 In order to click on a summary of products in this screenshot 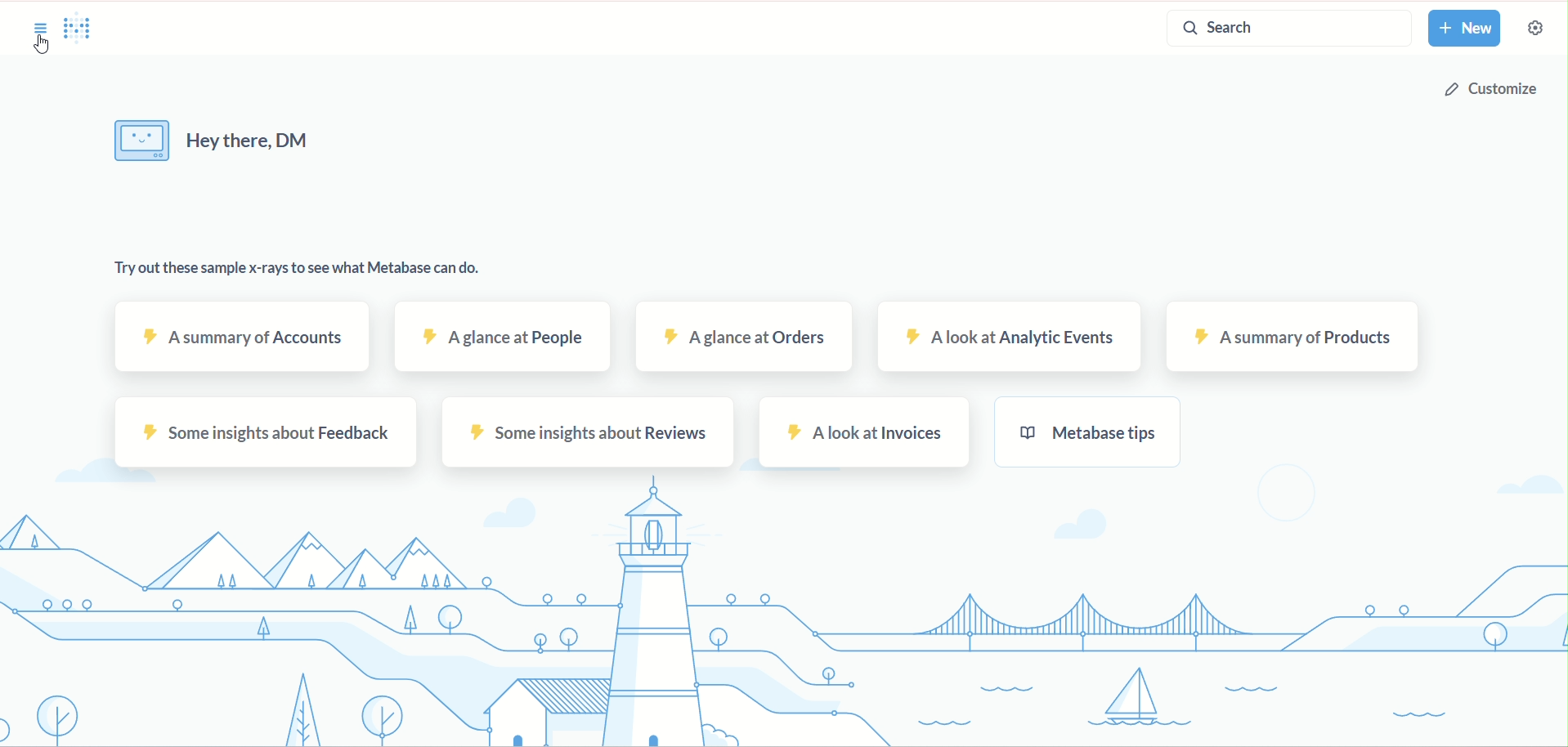, I will do `click(1290, 338)`.